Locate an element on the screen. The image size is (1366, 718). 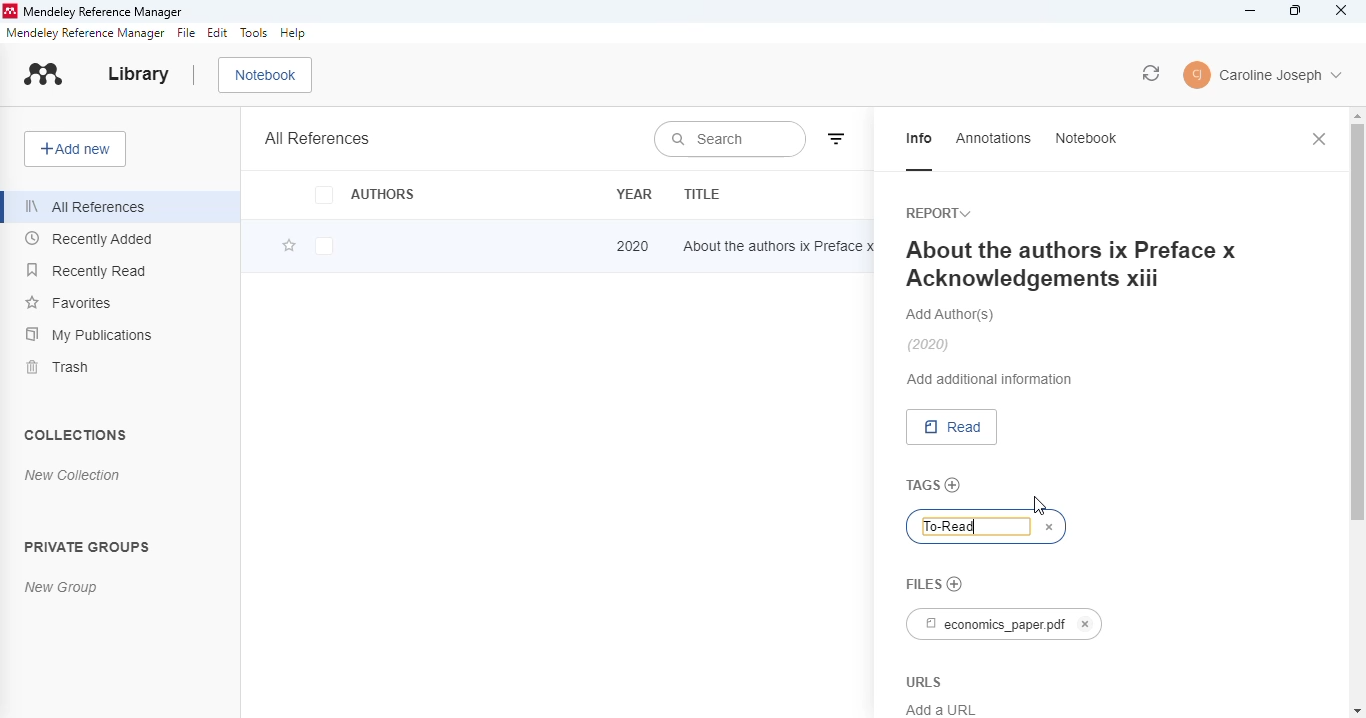
logo is located at coordinates (9, 11).